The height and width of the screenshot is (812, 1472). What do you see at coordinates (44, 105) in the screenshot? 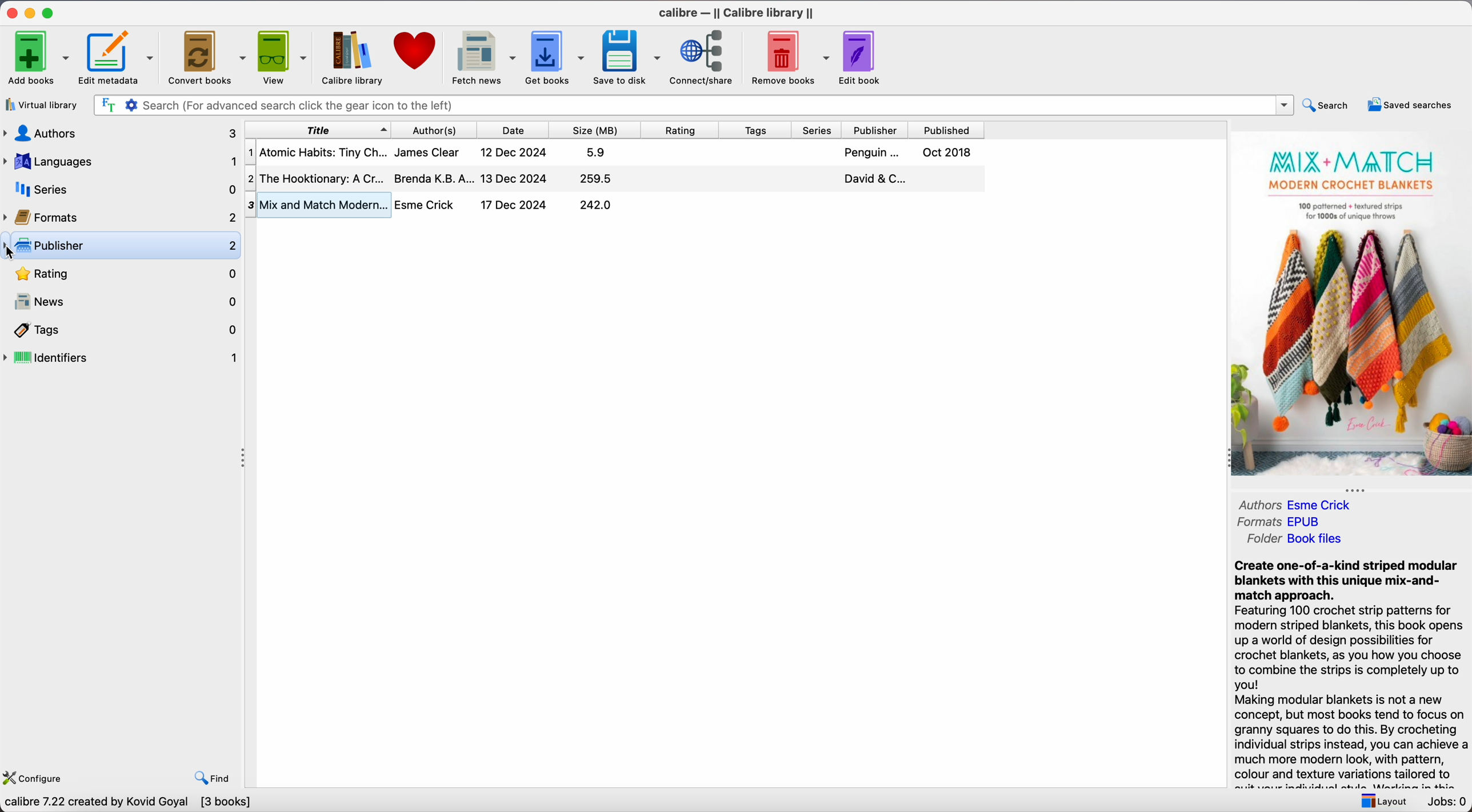
I see `virtual library` at bounding box center [44, 105].